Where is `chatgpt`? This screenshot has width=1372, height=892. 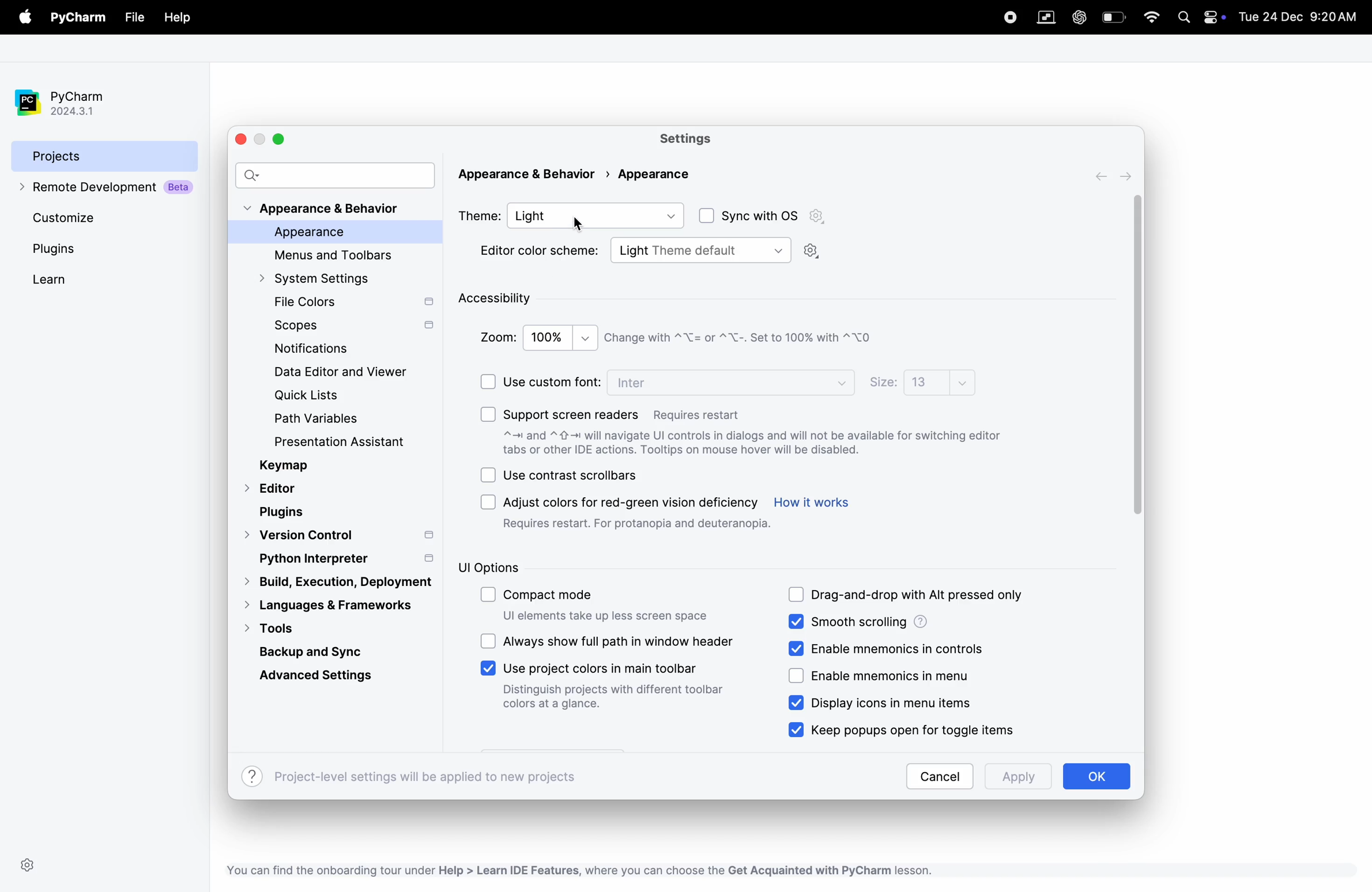
chatgpt is located at coordinates (1078, 17).